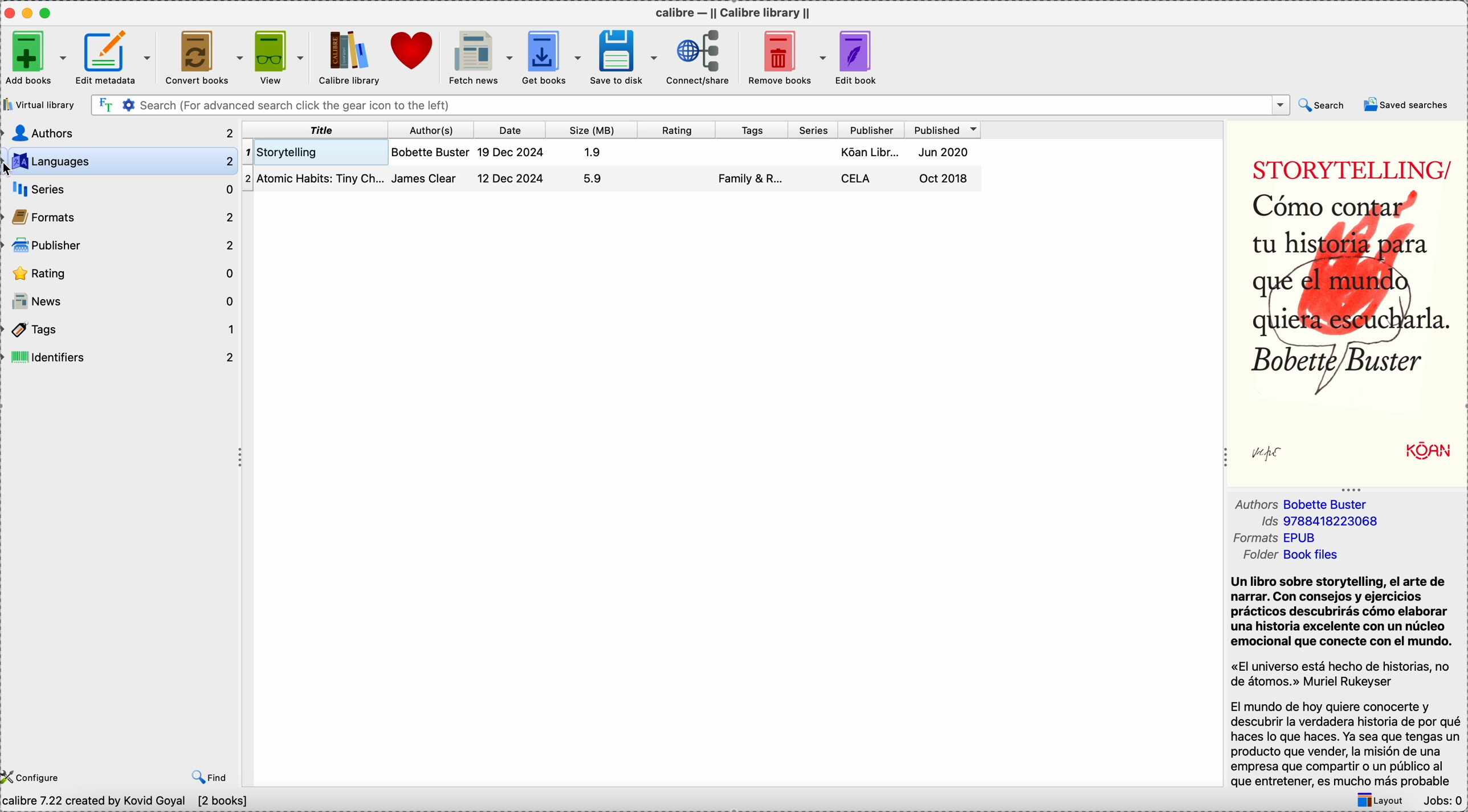  I want to click on author(s), so click(433, 130).